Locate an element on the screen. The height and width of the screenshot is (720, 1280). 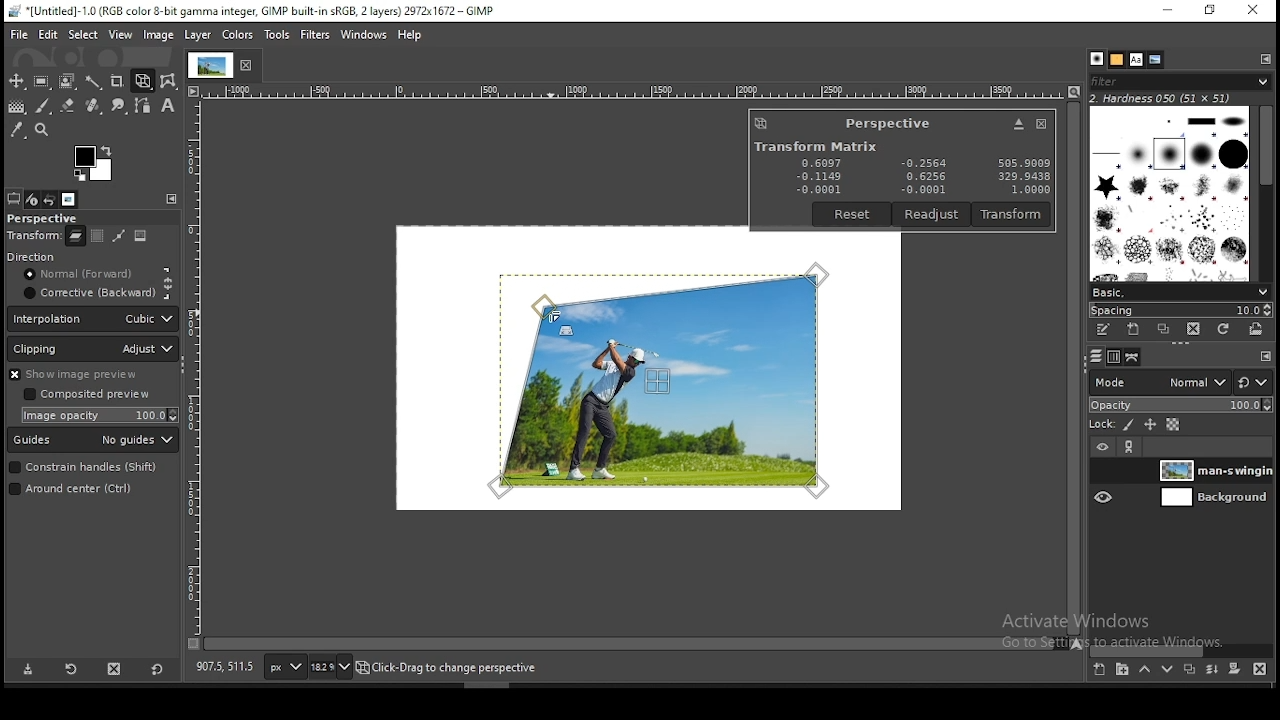
patterns is located at coordinates (1116, 59).